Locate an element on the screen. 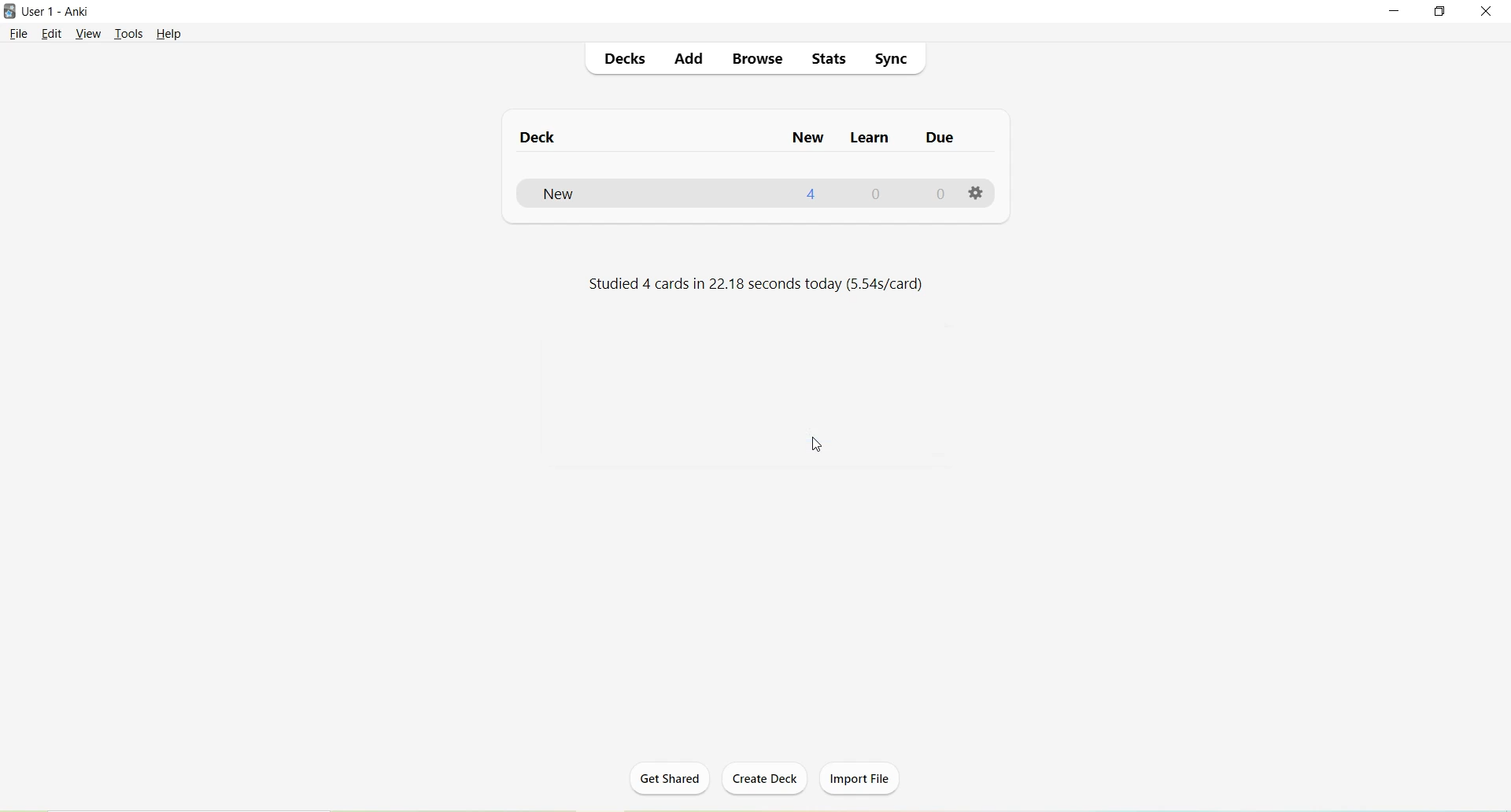 The image size is (1511, 812). View is located at coordinates (87, 34).